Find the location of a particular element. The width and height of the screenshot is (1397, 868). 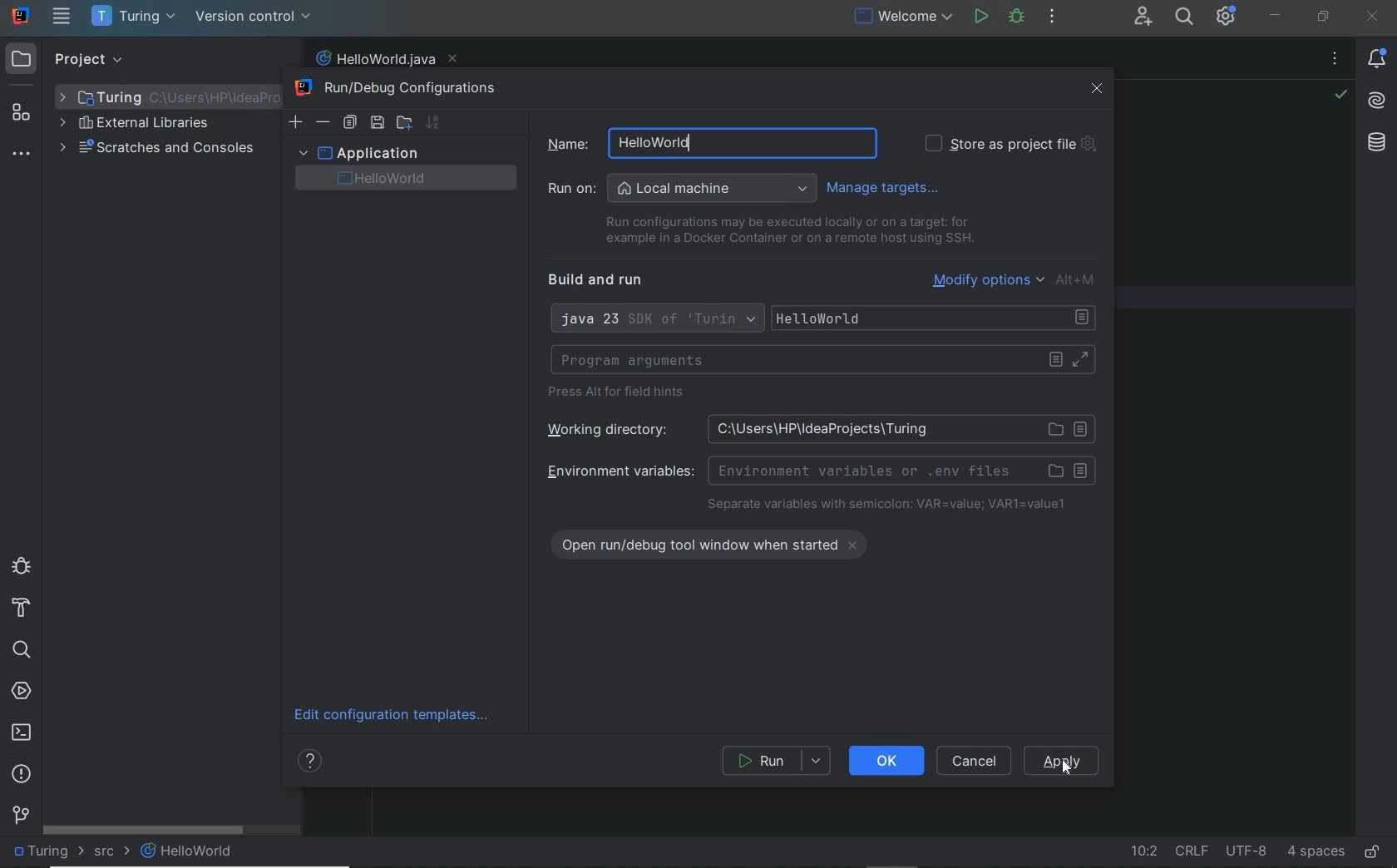

terminal is located at coordinates (22, 732).